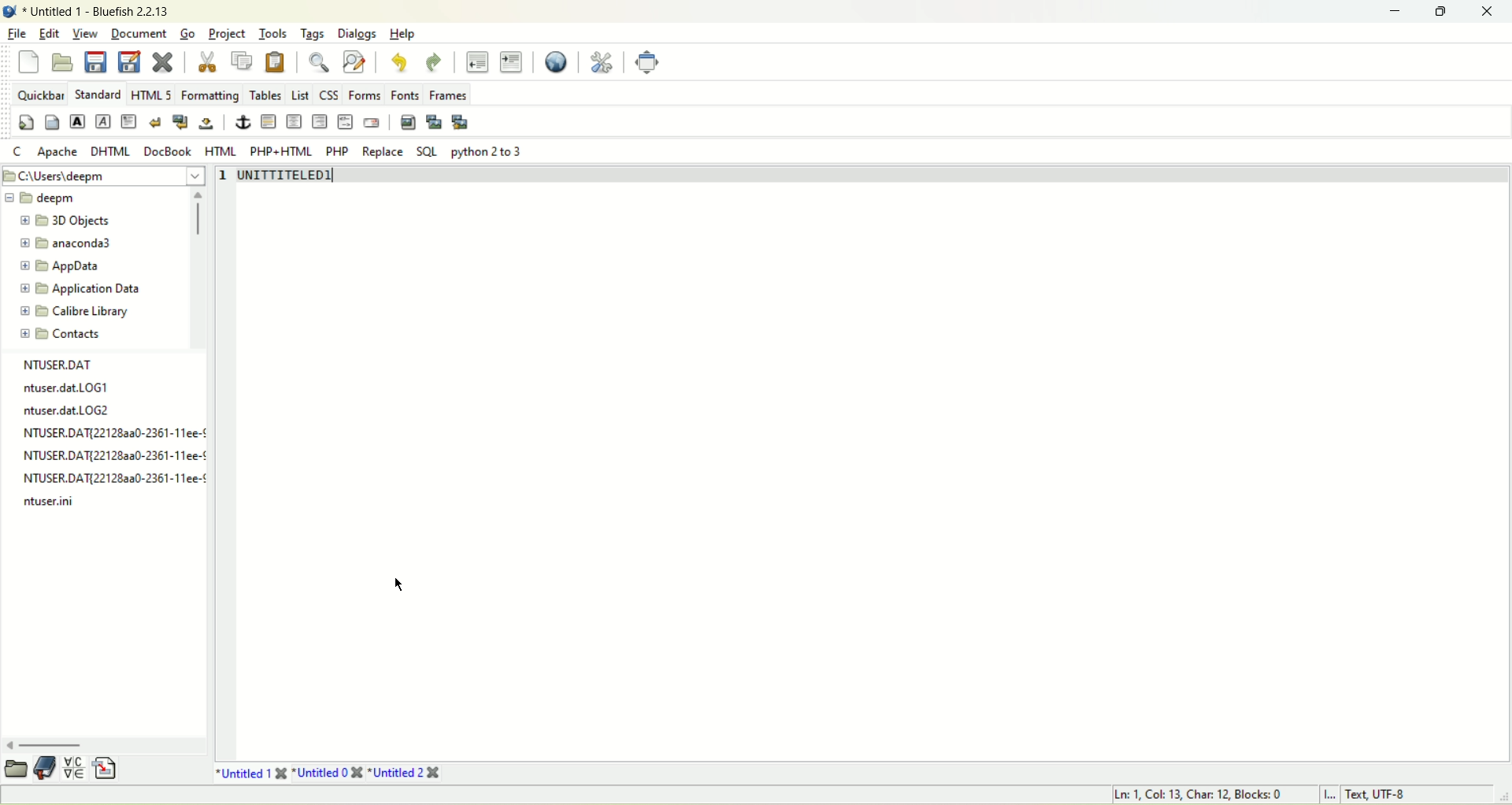 This screenshot has width=1512, height=805. What do you see at coordinates (126, 121) in the screenshot?
I see `paragraph ` at bounding box center [126, 121].